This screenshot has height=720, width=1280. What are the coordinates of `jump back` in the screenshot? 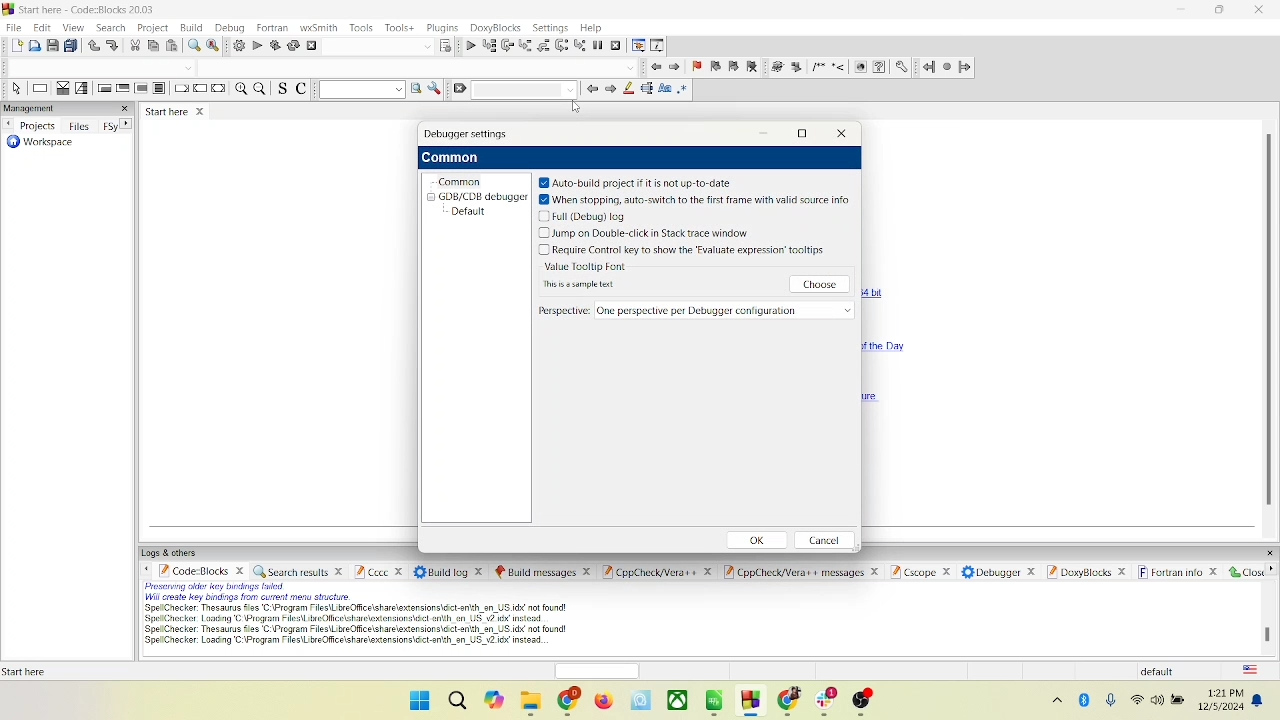 It's located at (928, 66).